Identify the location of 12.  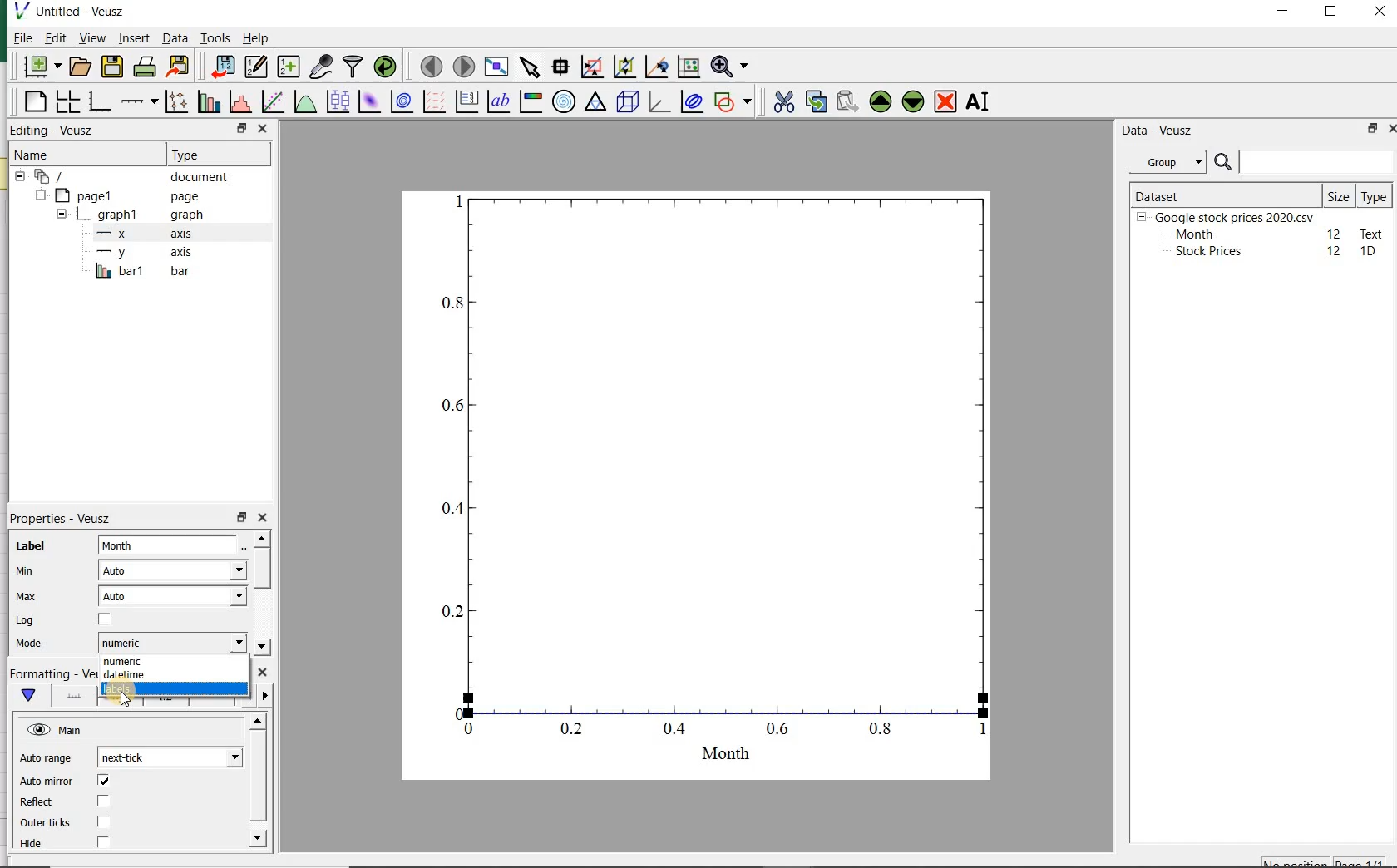
(1335, 251).